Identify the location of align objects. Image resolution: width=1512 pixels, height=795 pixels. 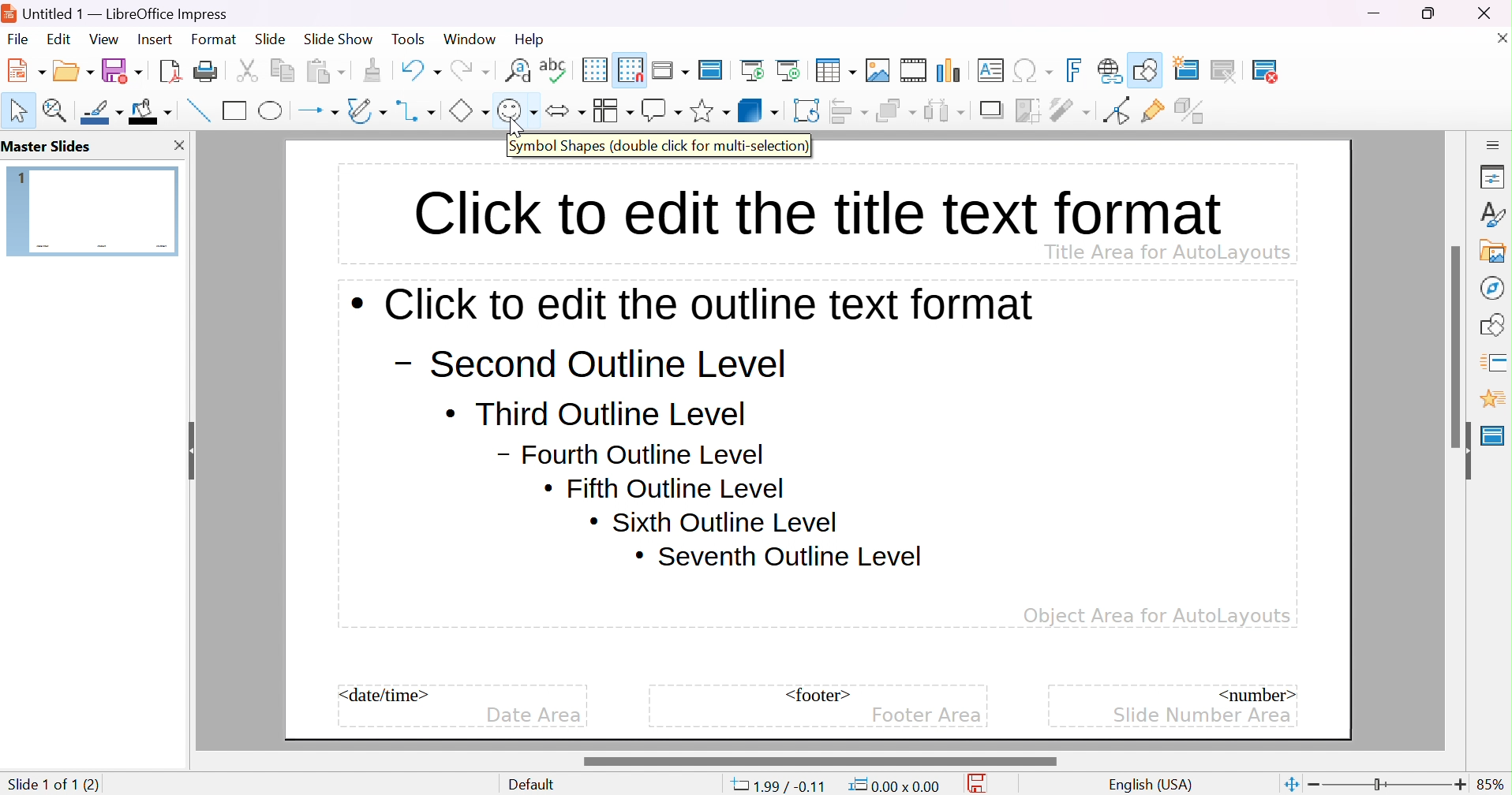
(851, 110).